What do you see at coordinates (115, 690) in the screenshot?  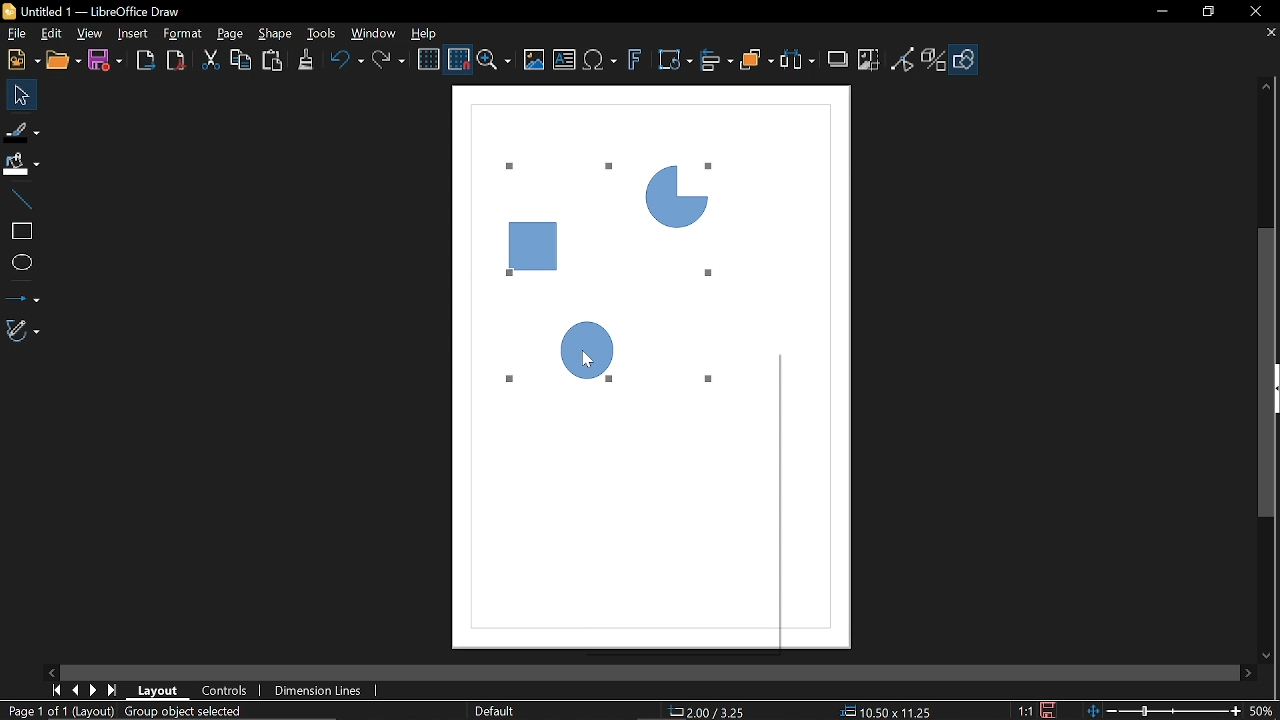 I see `Last page` at bounding box center [115, 690].